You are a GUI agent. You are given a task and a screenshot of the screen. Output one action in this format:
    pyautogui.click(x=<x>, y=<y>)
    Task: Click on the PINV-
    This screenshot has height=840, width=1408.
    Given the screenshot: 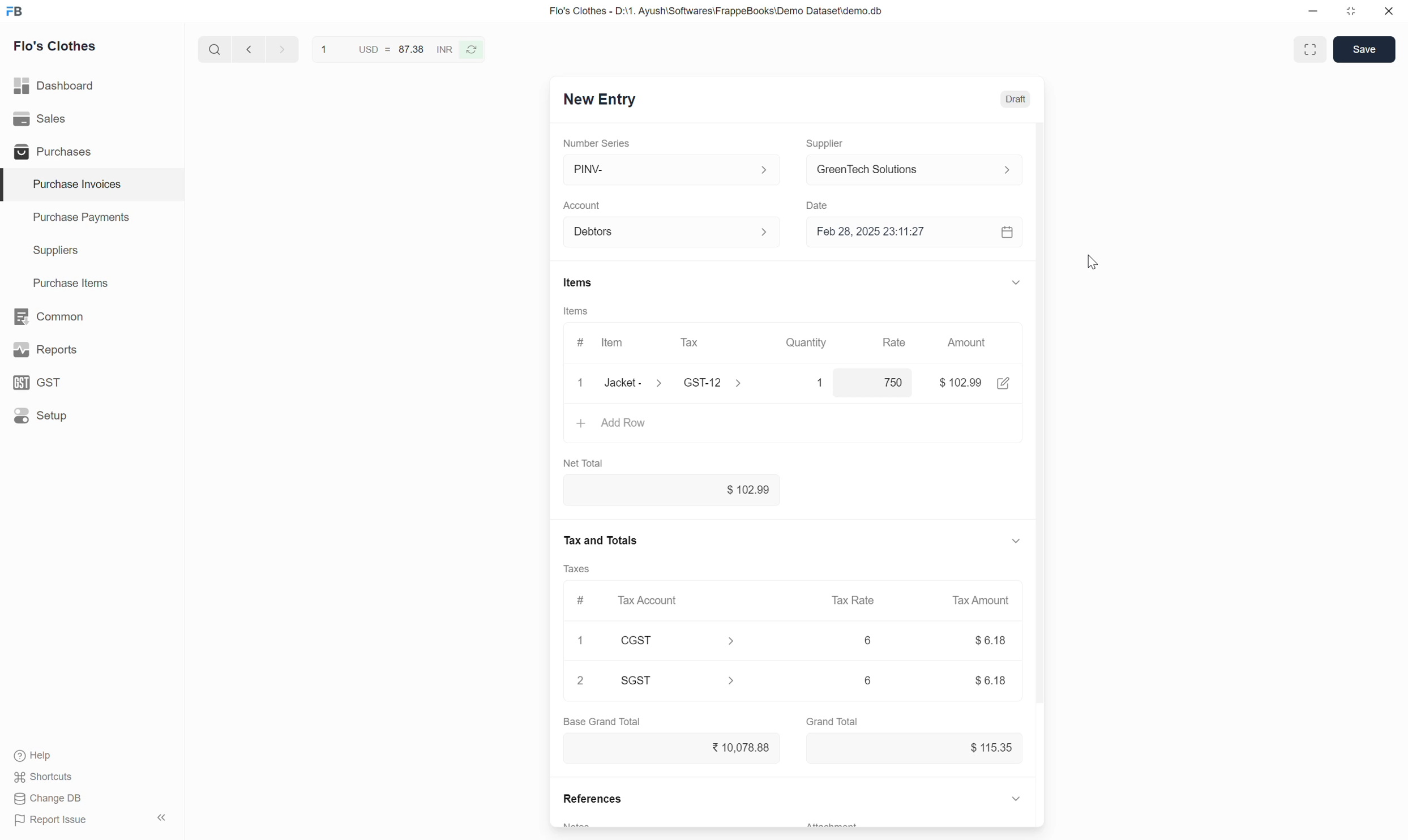 What is the action you would take?
    pyautogui.click(x=674, y=169)
    